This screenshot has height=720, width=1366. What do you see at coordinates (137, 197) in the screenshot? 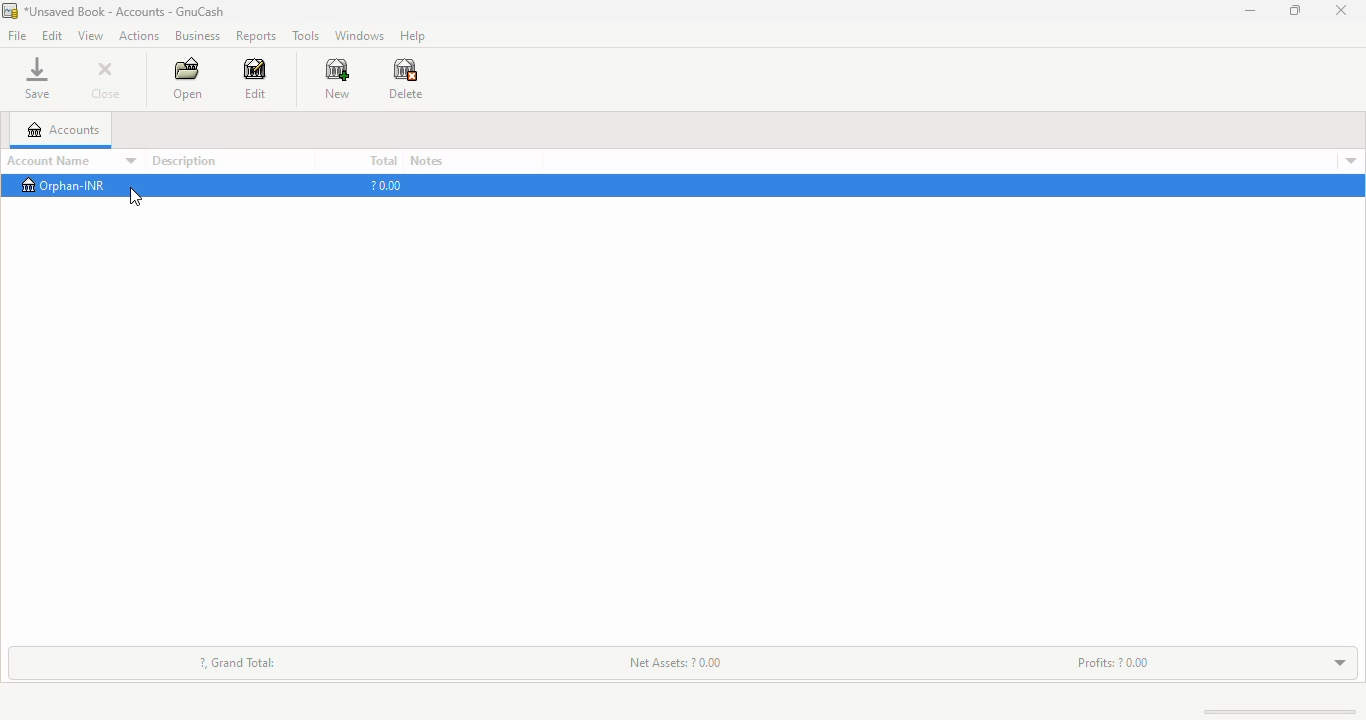
I see `cursor` at bounding box center [137, 197].